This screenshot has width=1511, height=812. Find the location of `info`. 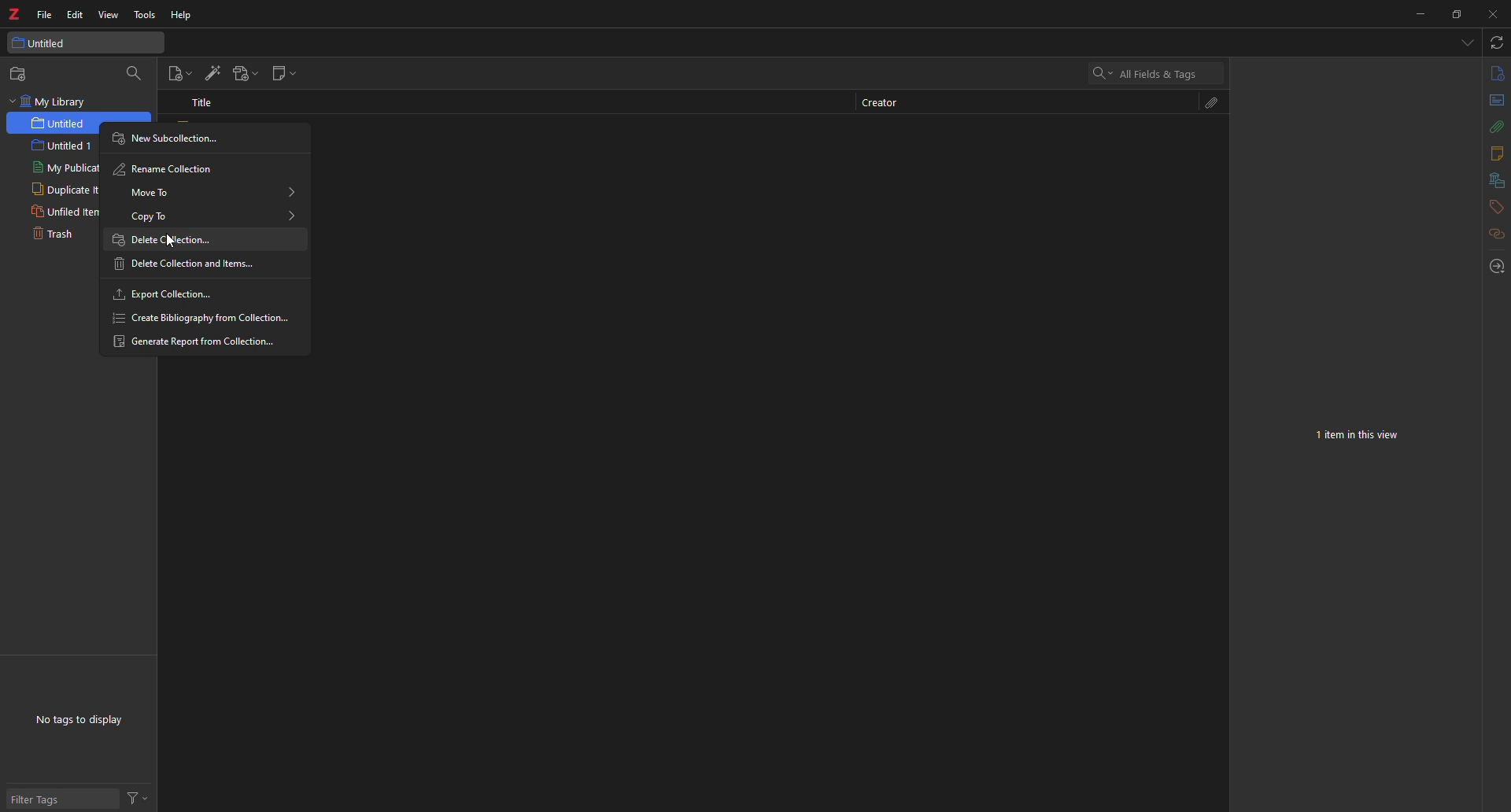

info is located at coordinates (1495, 74).